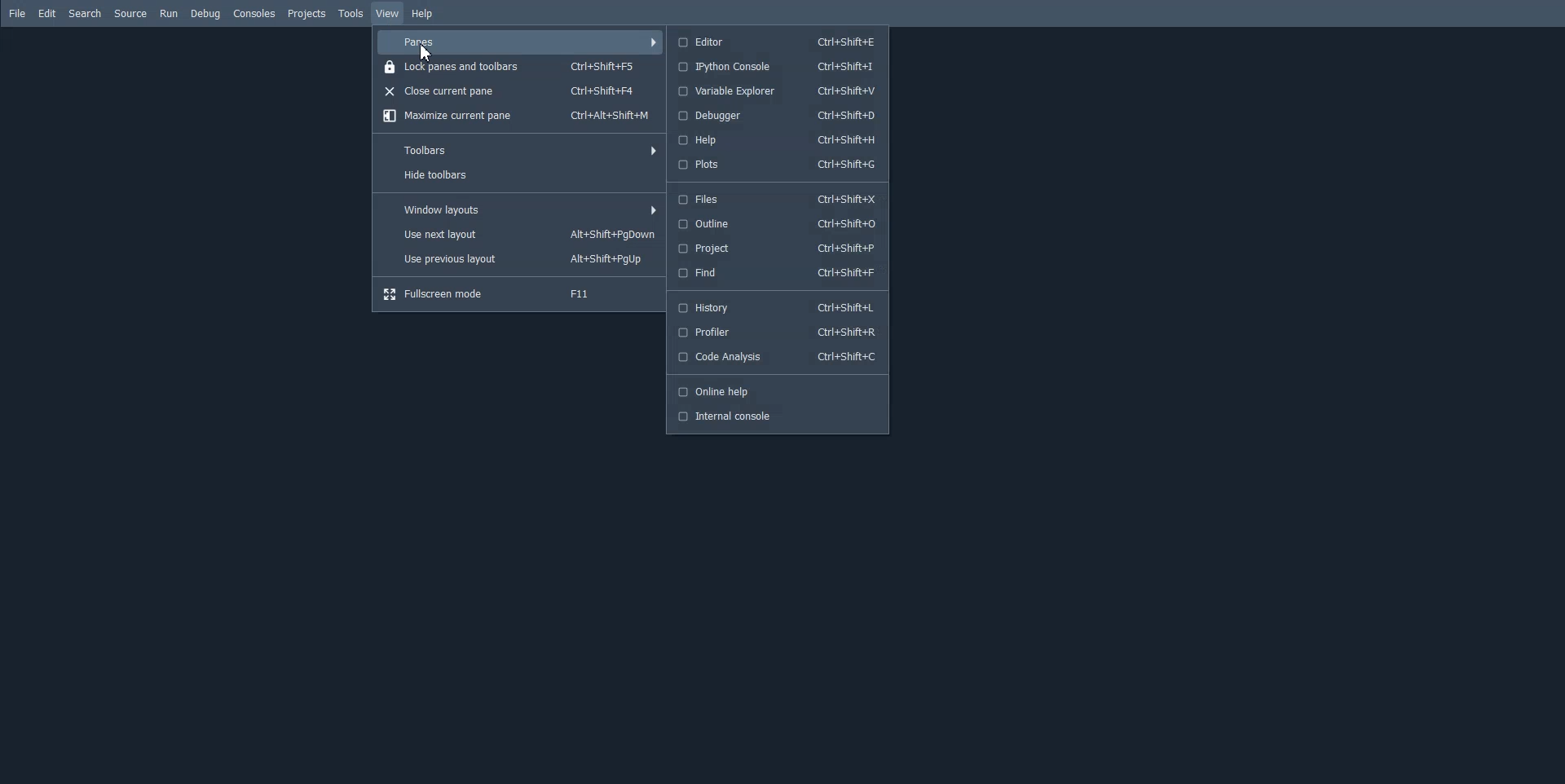 The width and height of the screenshot is (1565, 784). What do you see at coordinates (130, 14) in the screenshot?
I see `Source` at bounding box center [130, 14].